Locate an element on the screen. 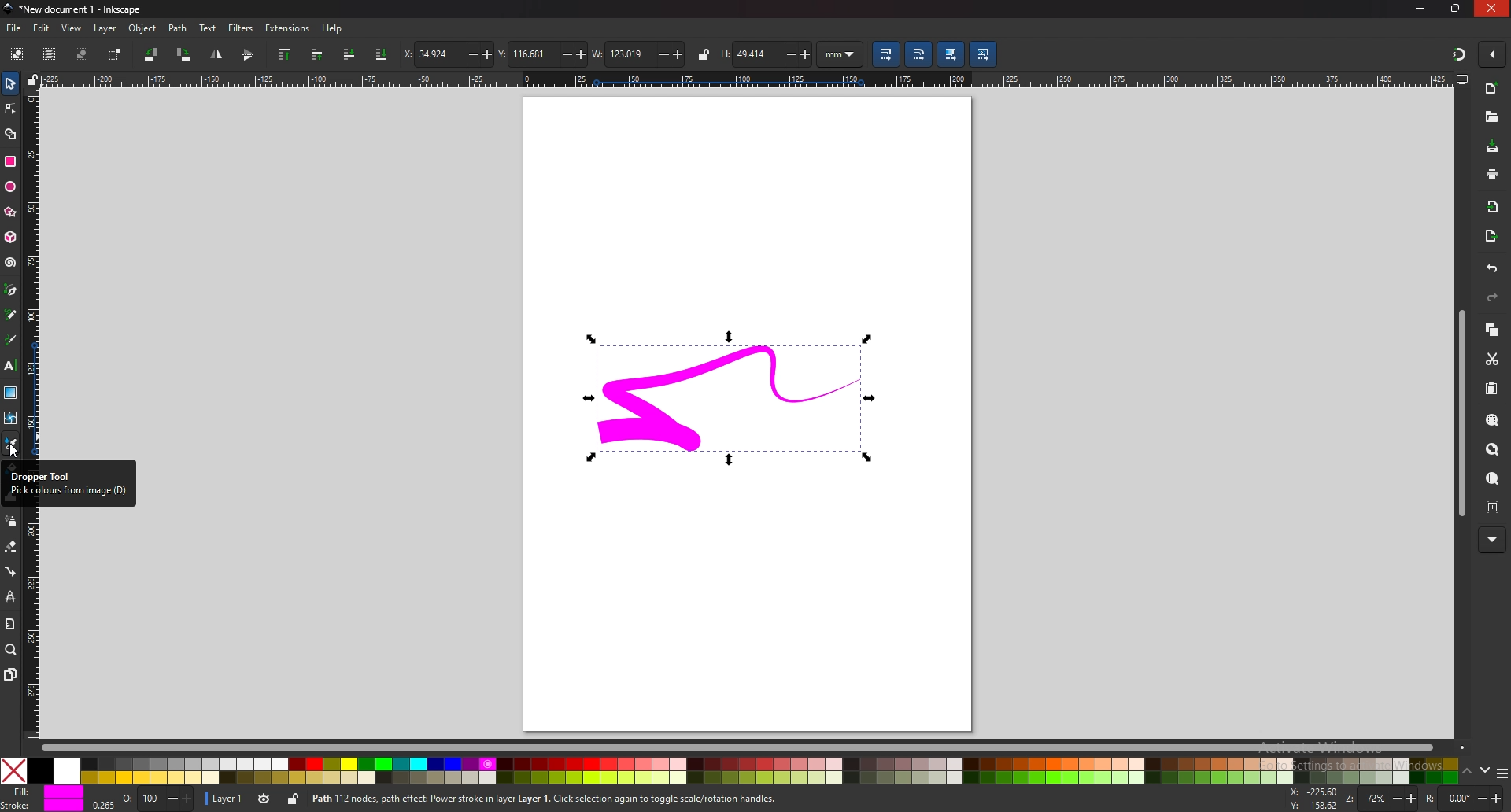  layer is located at coordinates (105, 29).